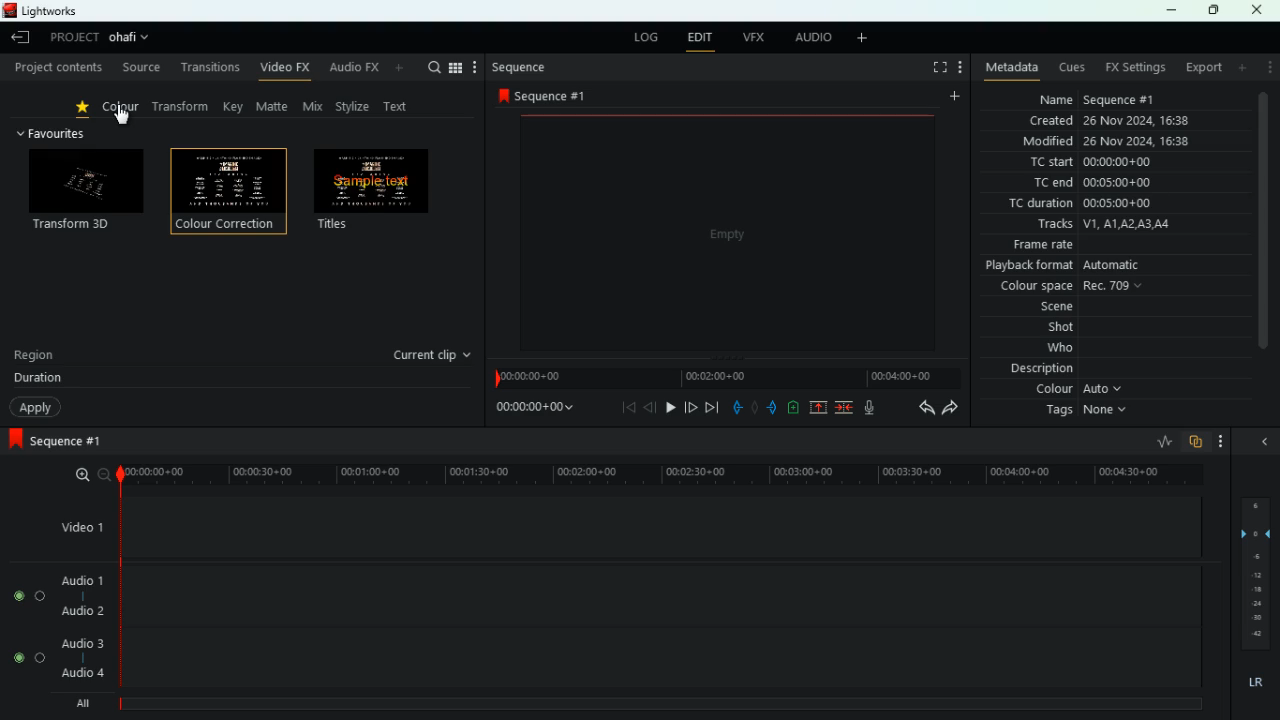 The image size is (1280, 720). I want to click on source, so click(140, 67).